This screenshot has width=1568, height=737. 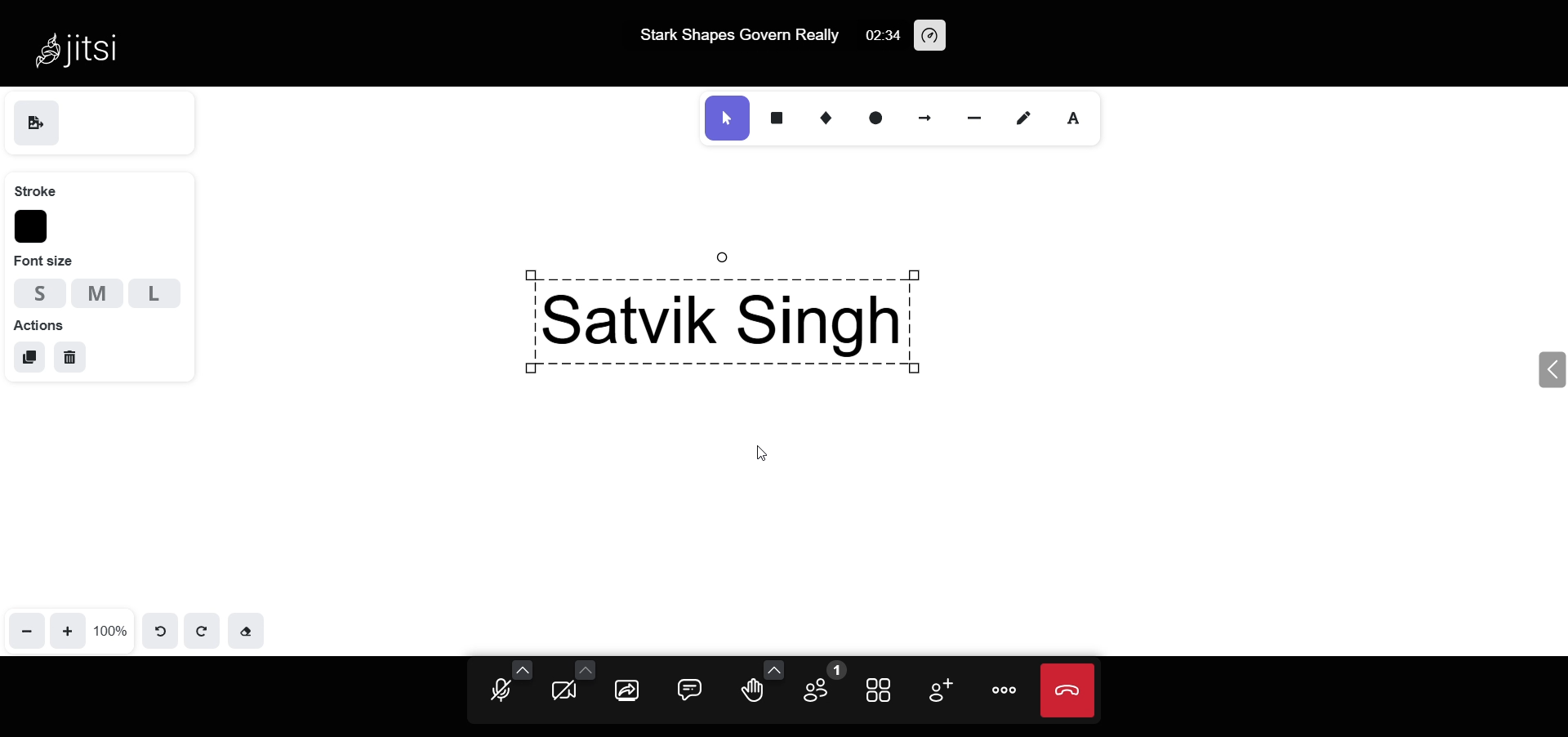 What do you see at coordinates (33, 227) in the screenshot?
I see `stroke color` at bounding box center [33, 227].